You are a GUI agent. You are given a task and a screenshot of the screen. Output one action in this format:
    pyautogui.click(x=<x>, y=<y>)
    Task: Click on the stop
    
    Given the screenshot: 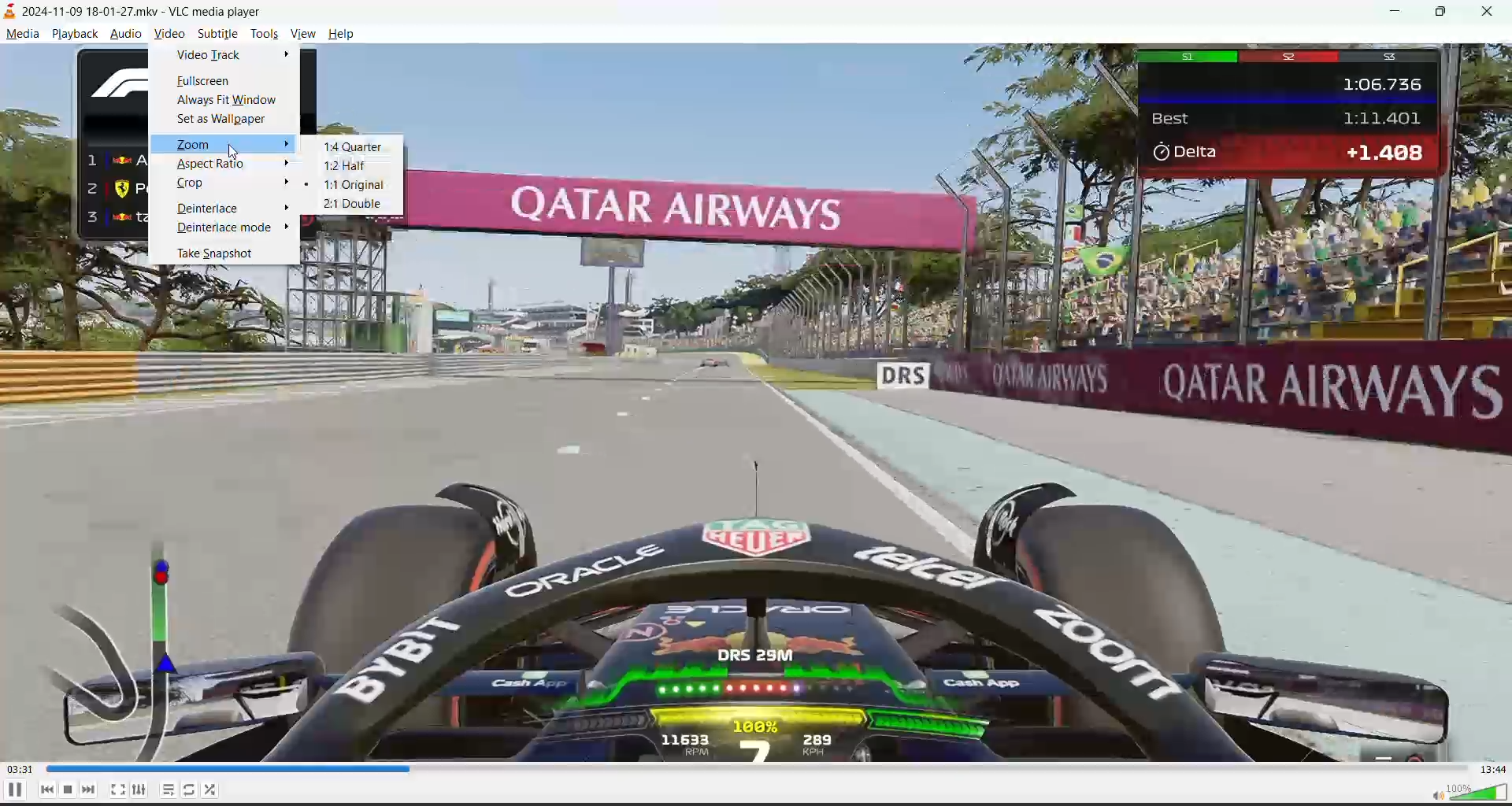 What is the action you would take?
    pyautogui.click(x=70, y=789)
    